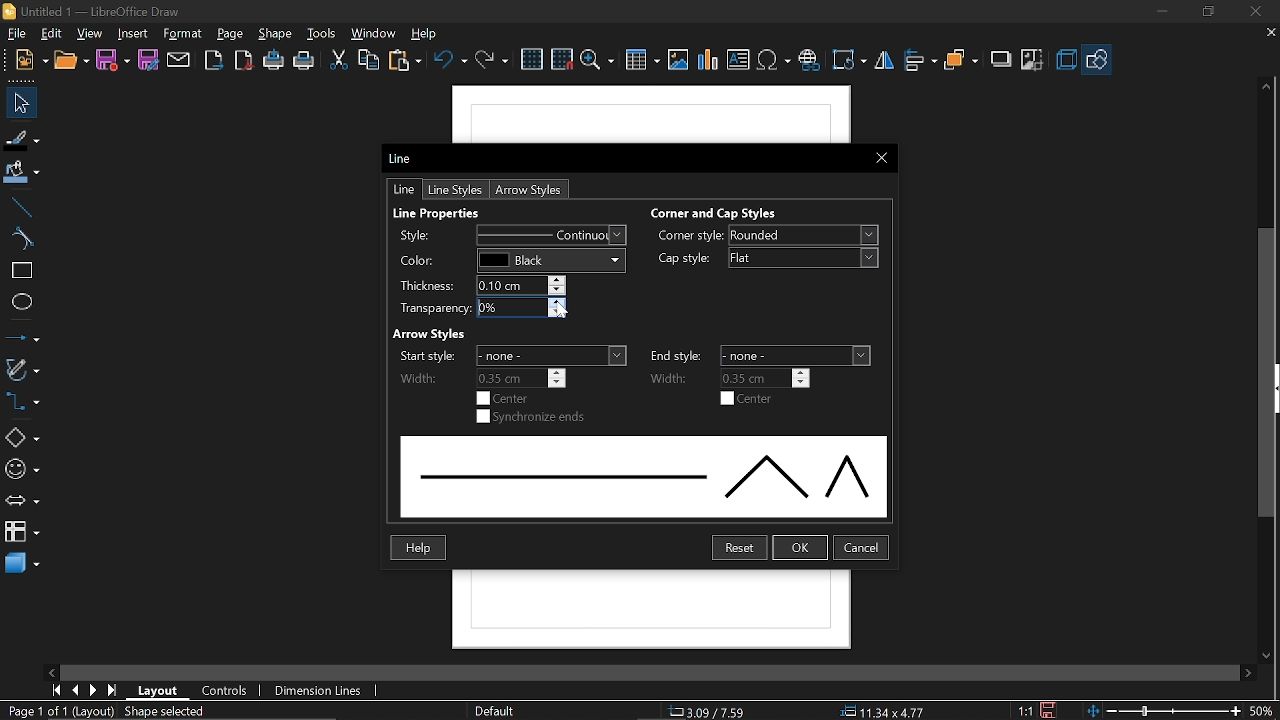  What do you see at coordinates (34, 710) in the screenshot?
I see `Current page (Page 1 of 1)` at bounding box center [34, 710].